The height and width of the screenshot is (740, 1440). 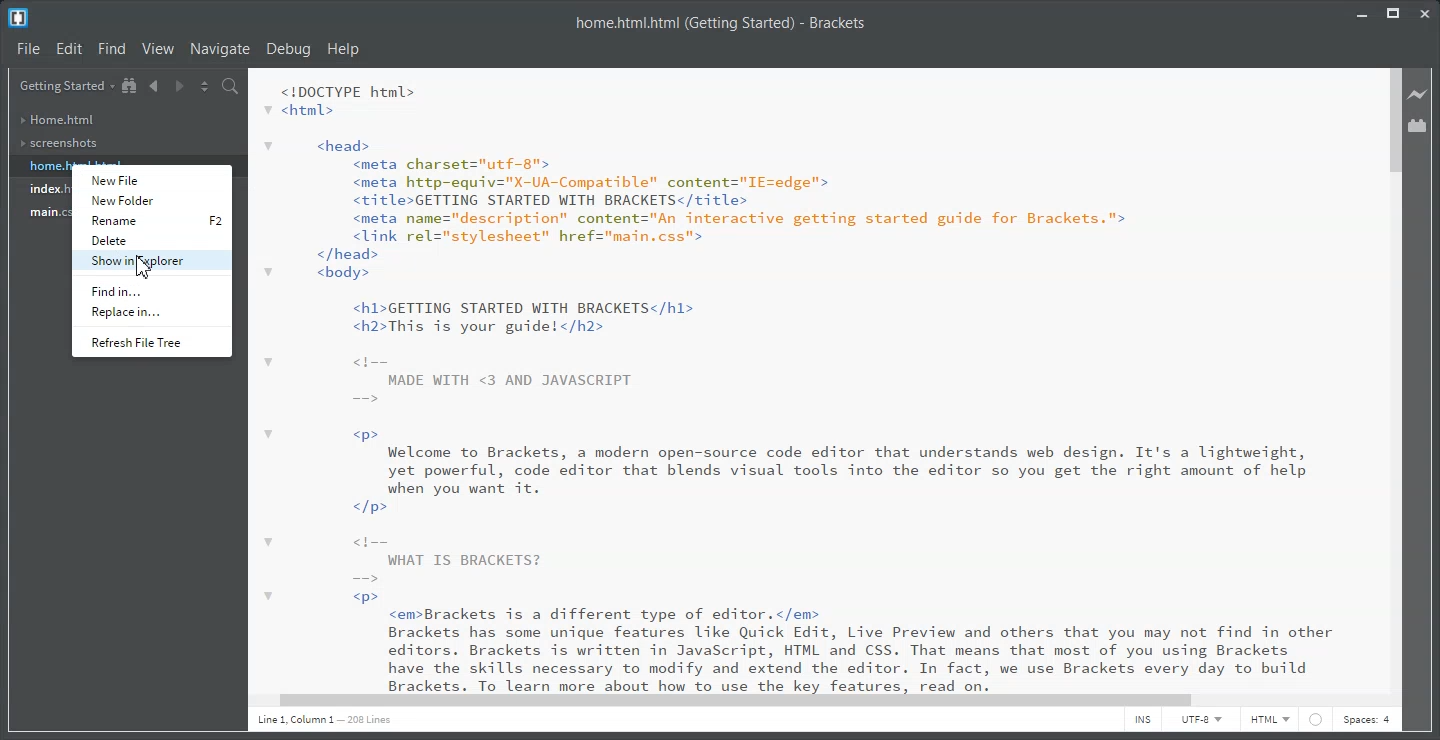 What do you see at coordinates (288, 49) in the screenshot?
I see `Debug` at bounding box center [288, 49].